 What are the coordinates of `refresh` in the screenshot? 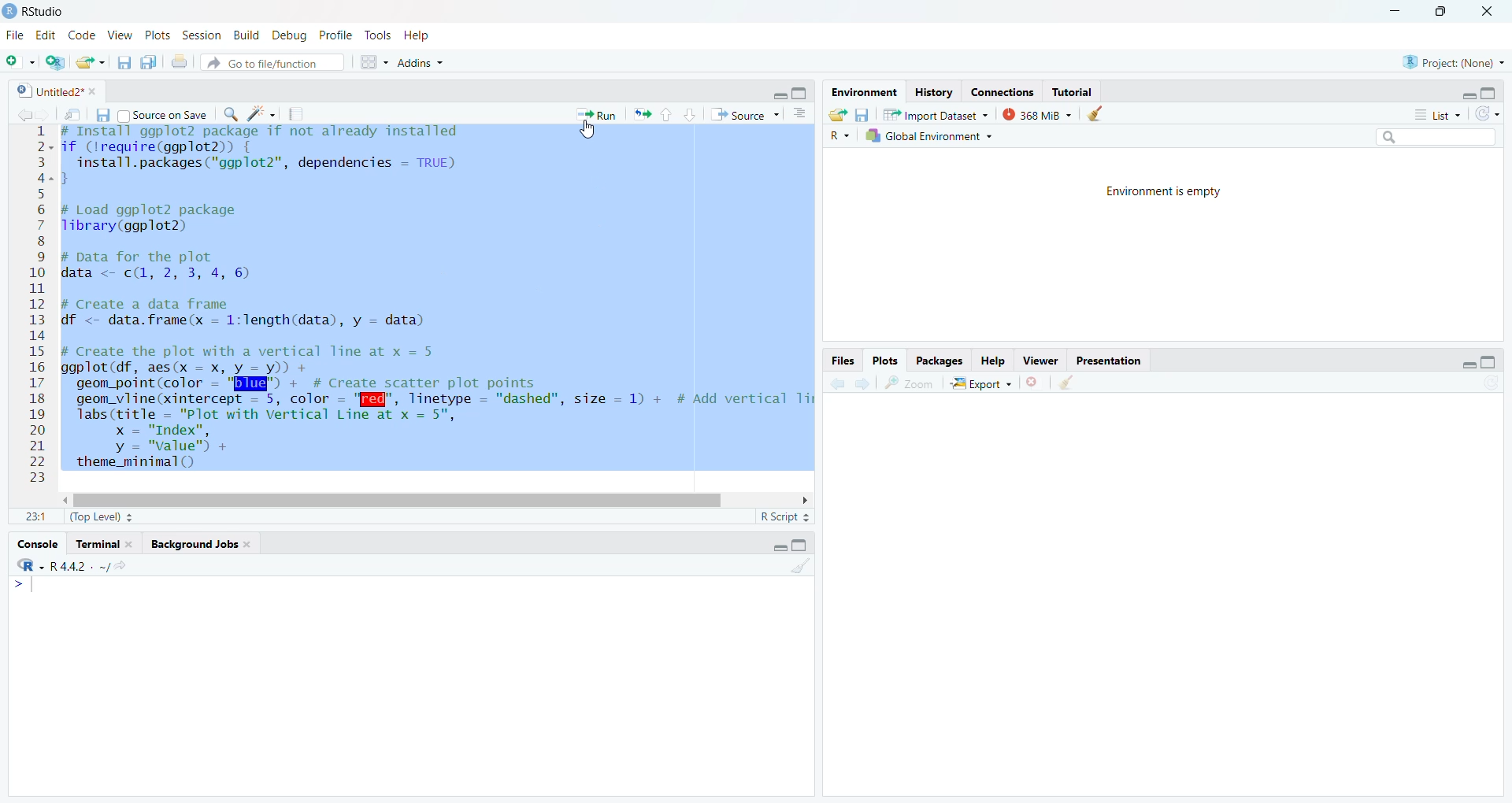 It's located at (1491, 117).